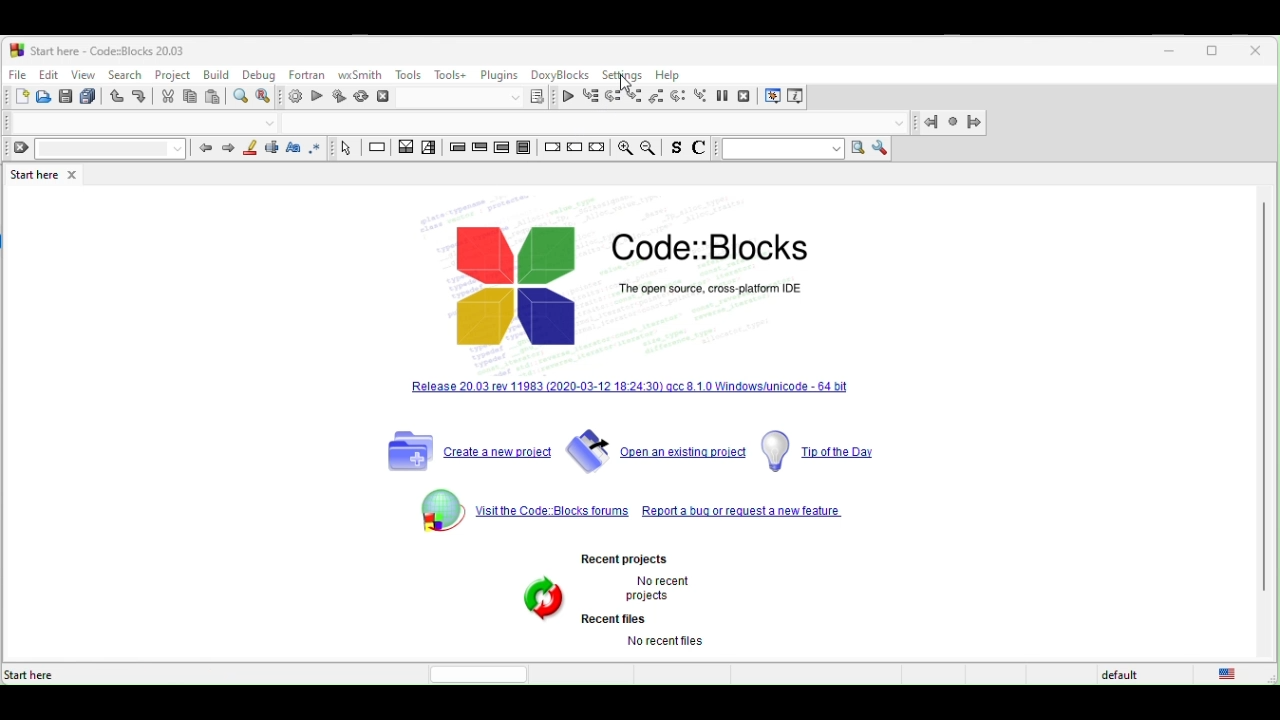 This screenshot has height=720, width=1280. What do you see at coordinates (636, 99) in the screenshot?
I see `step into` at bounding box center [636, 99].